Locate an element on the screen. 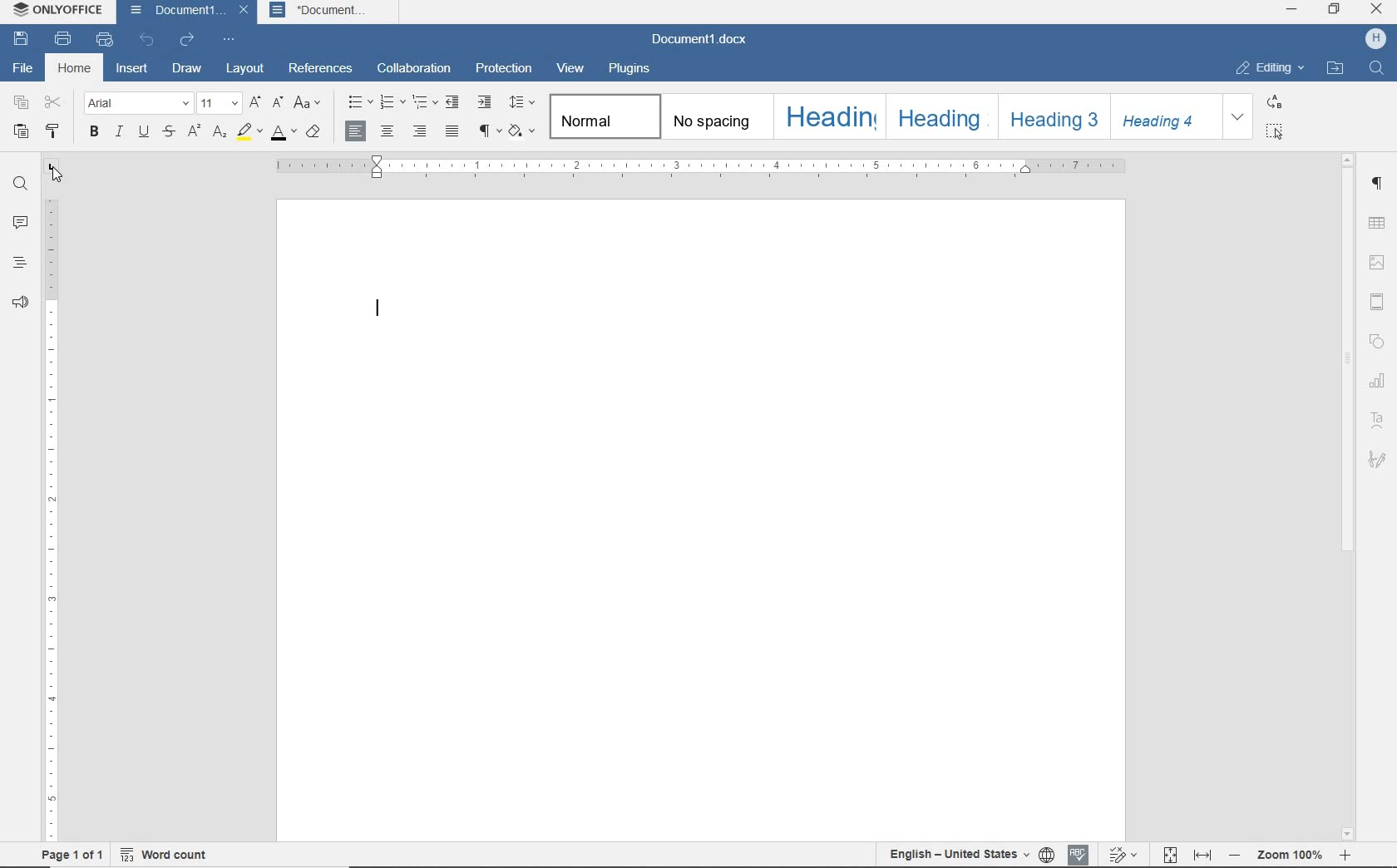 This screenshot has width=1397, height=868. ALIGN RIGHT is located at coordinates (417, 131).